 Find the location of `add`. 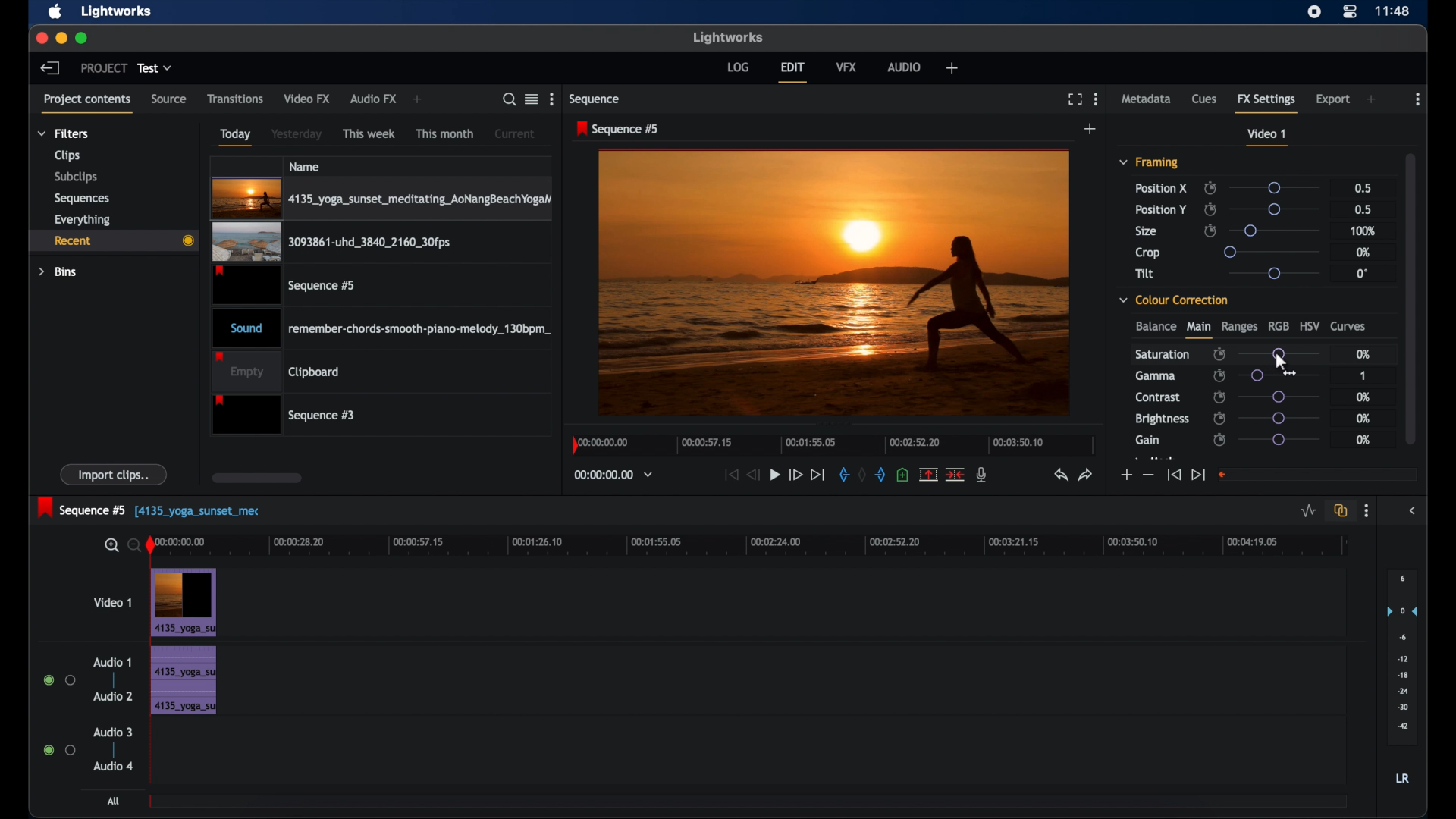

add is located at coordinates (1373, 99).